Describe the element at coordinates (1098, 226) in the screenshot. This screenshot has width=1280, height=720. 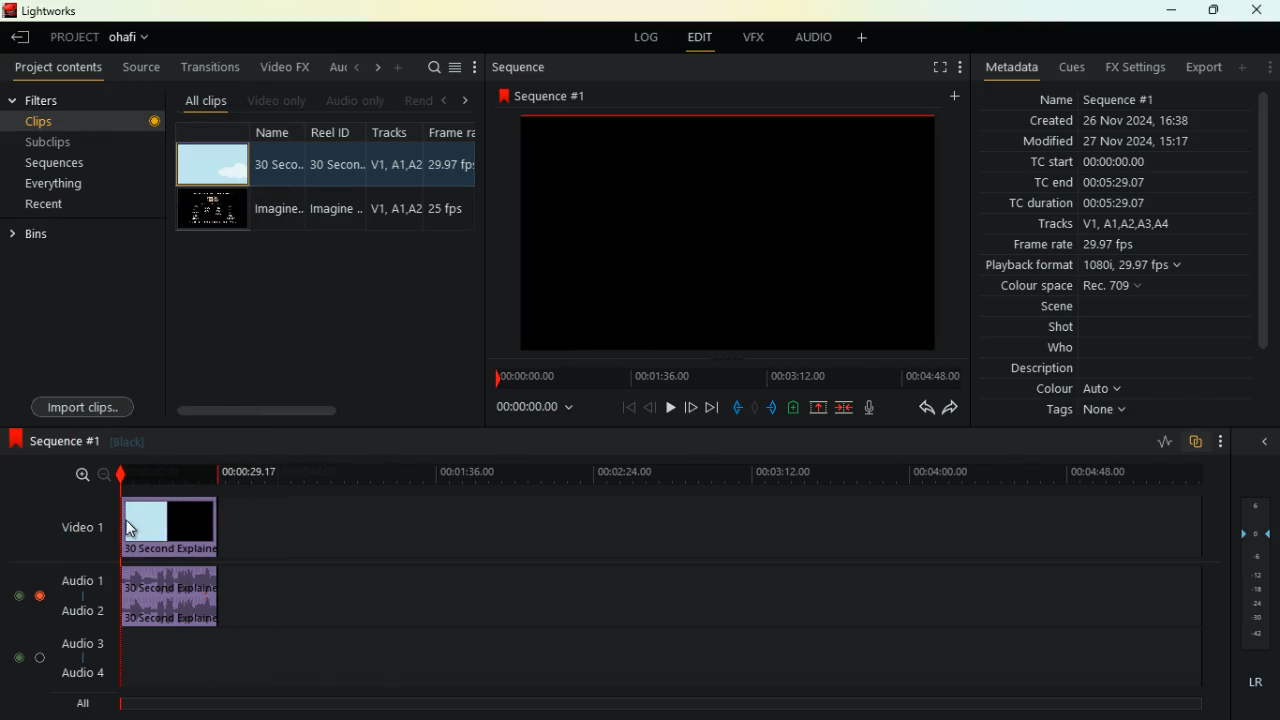
I see `tracks` at that location.